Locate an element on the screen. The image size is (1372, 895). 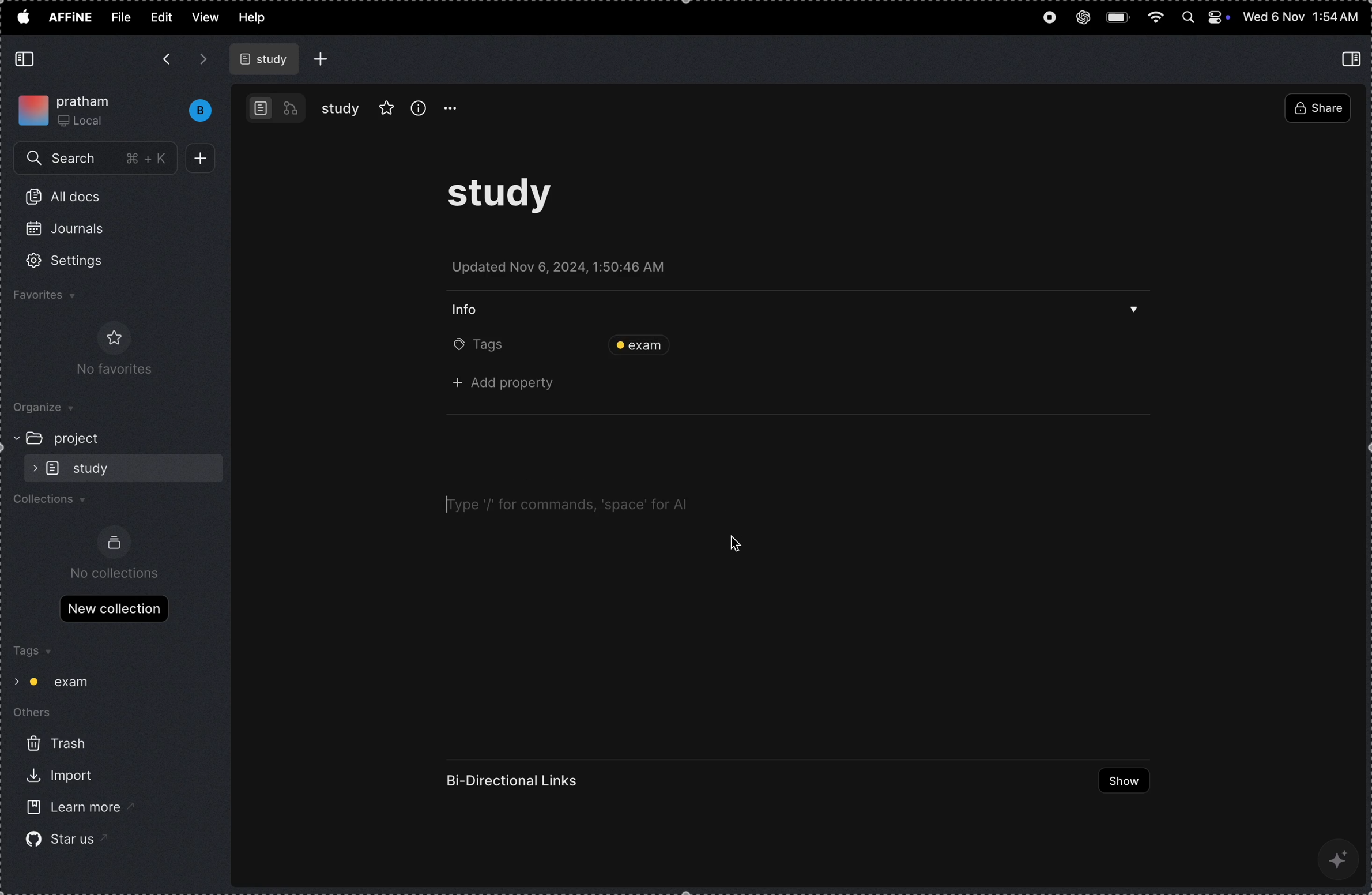
search menu is located at coordinates (97, 159).